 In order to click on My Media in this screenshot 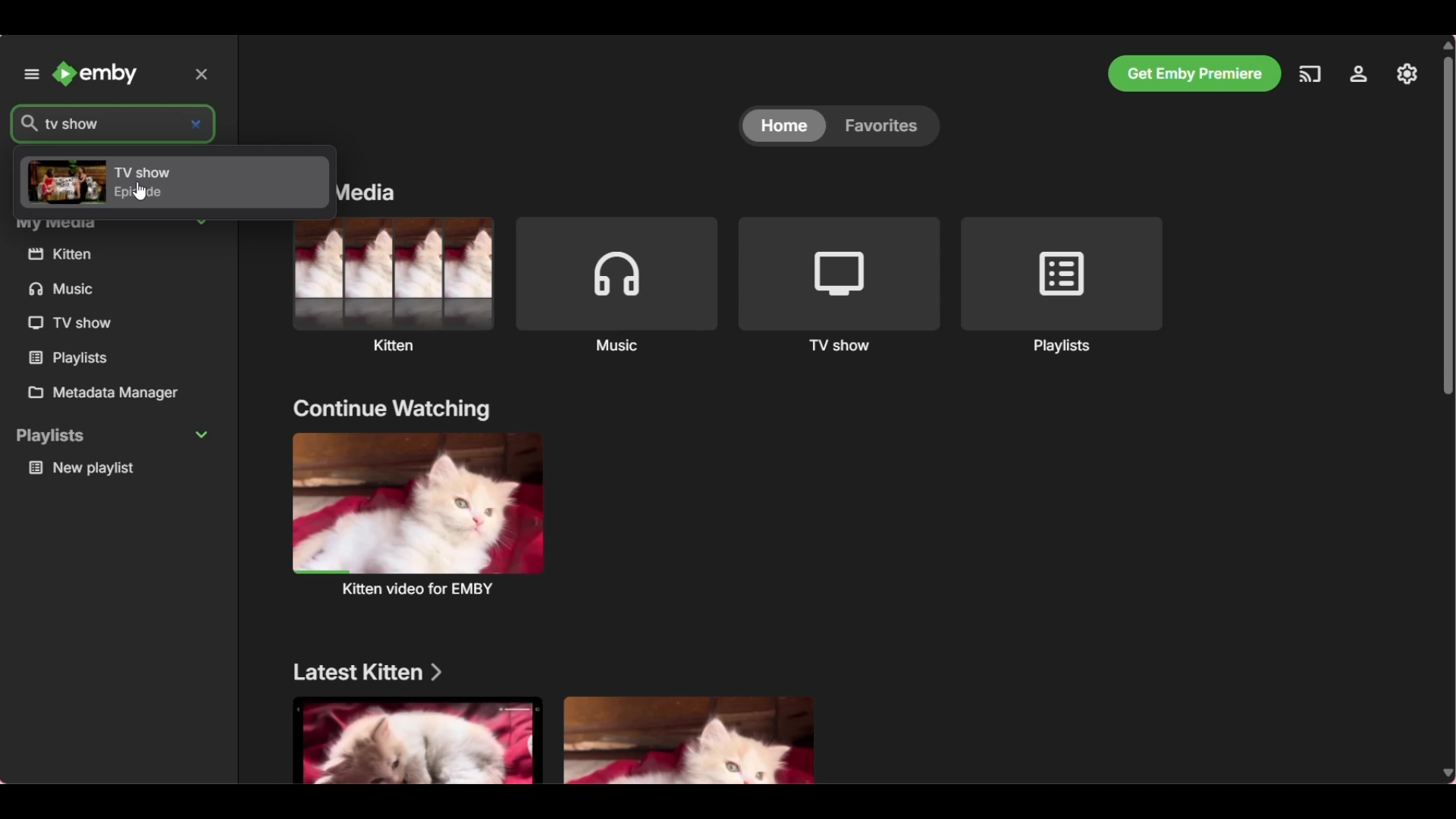, I will do `click(111, 223)`.